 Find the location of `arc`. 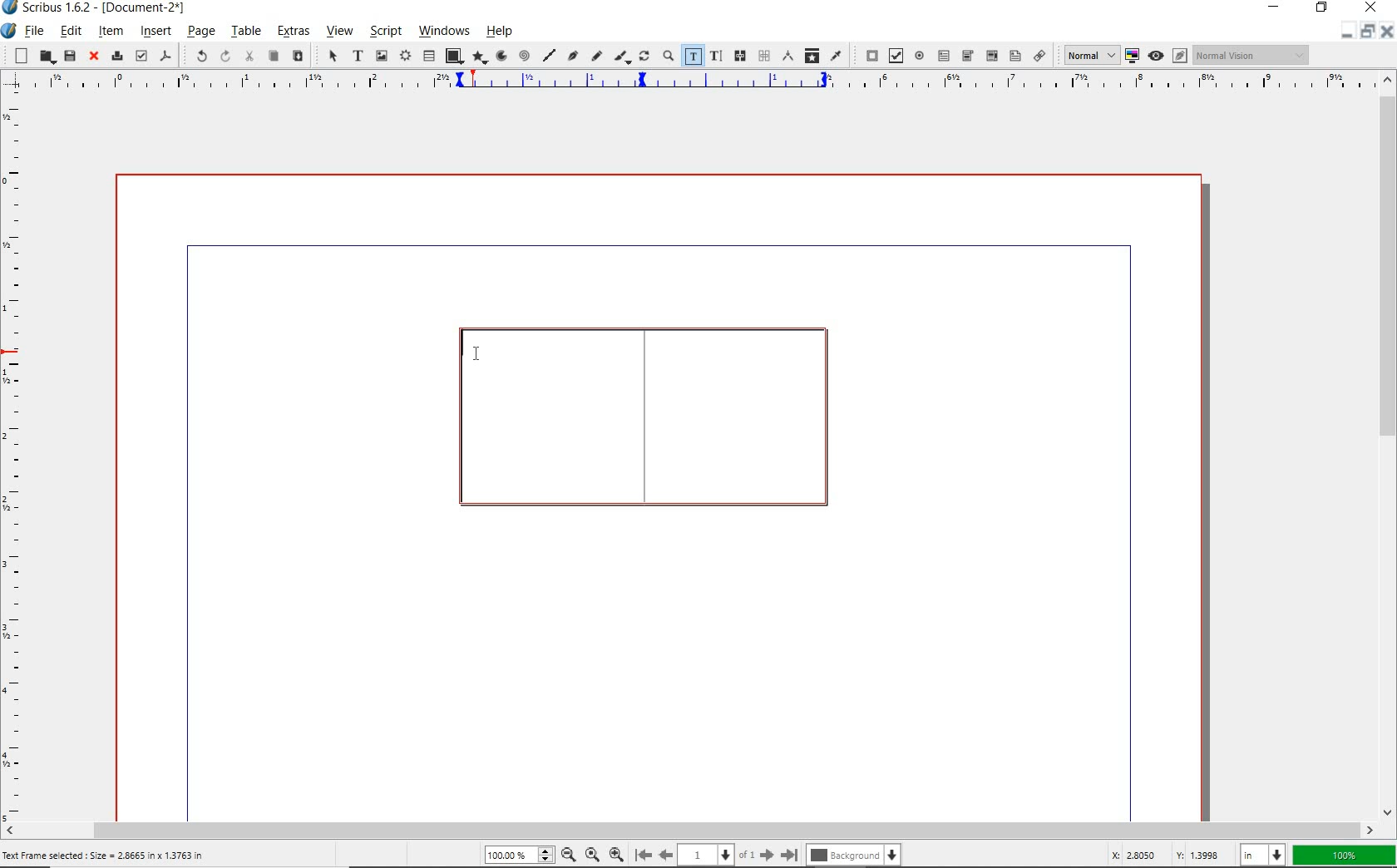

arc is located at coordinates (499, 57).